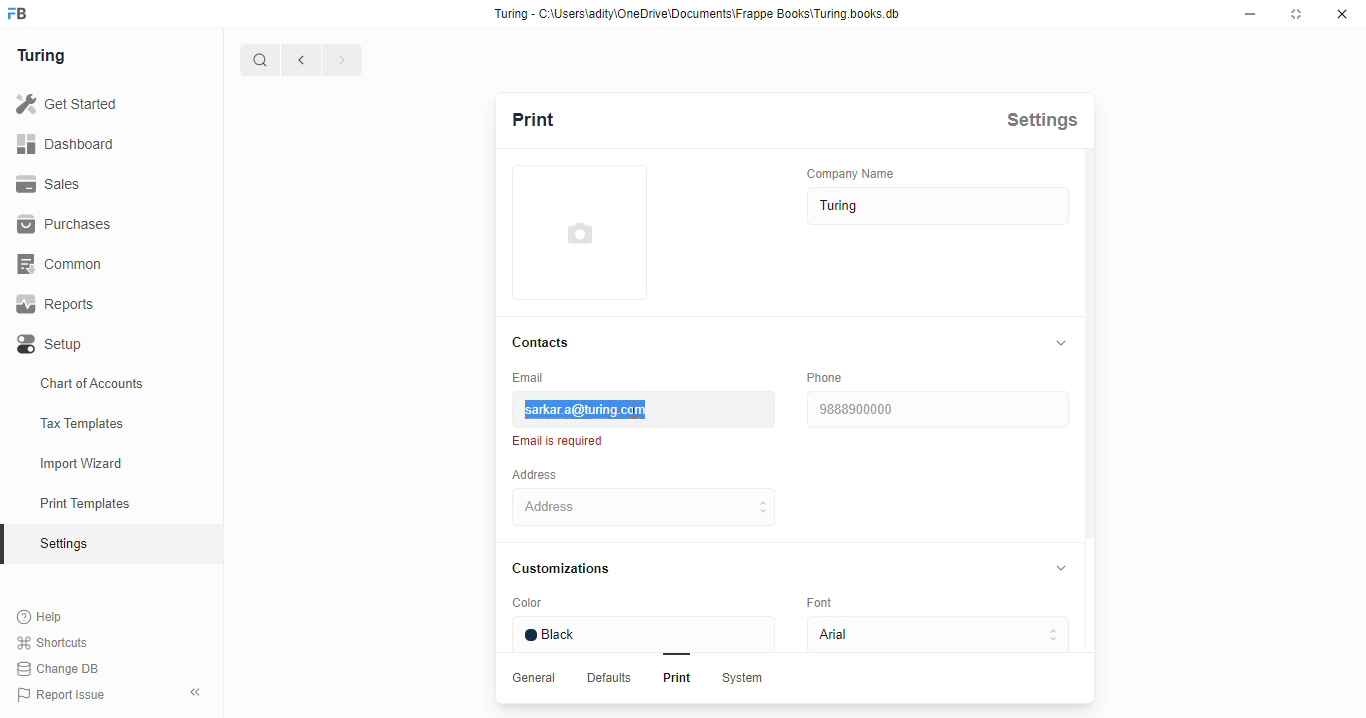 This screenshot has width=1366, height=718. What do you see at coordinates (638, 412) in the screenshot?
I see `cursor` at bounding box center [638, 412].